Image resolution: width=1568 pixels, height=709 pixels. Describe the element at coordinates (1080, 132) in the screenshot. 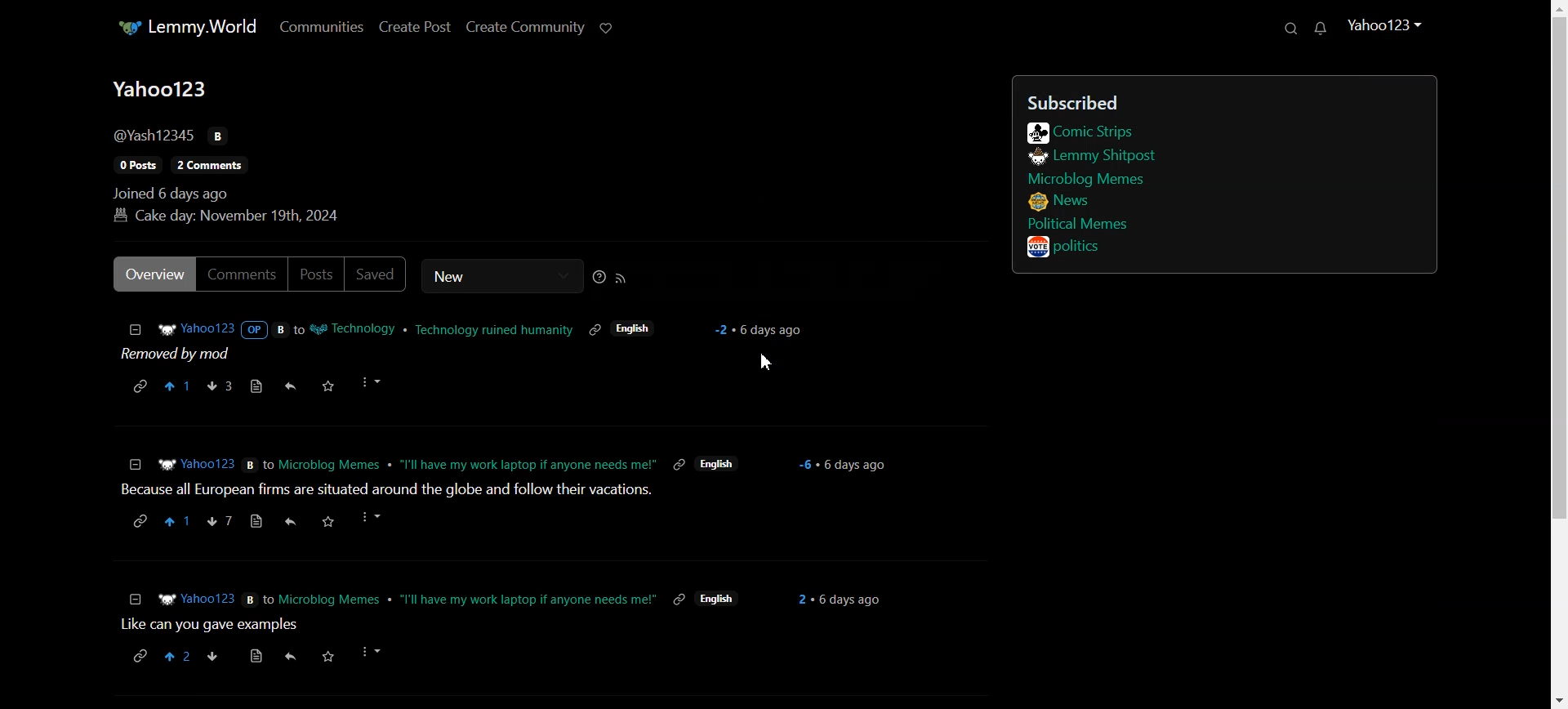

I see `comic strips` at that location.